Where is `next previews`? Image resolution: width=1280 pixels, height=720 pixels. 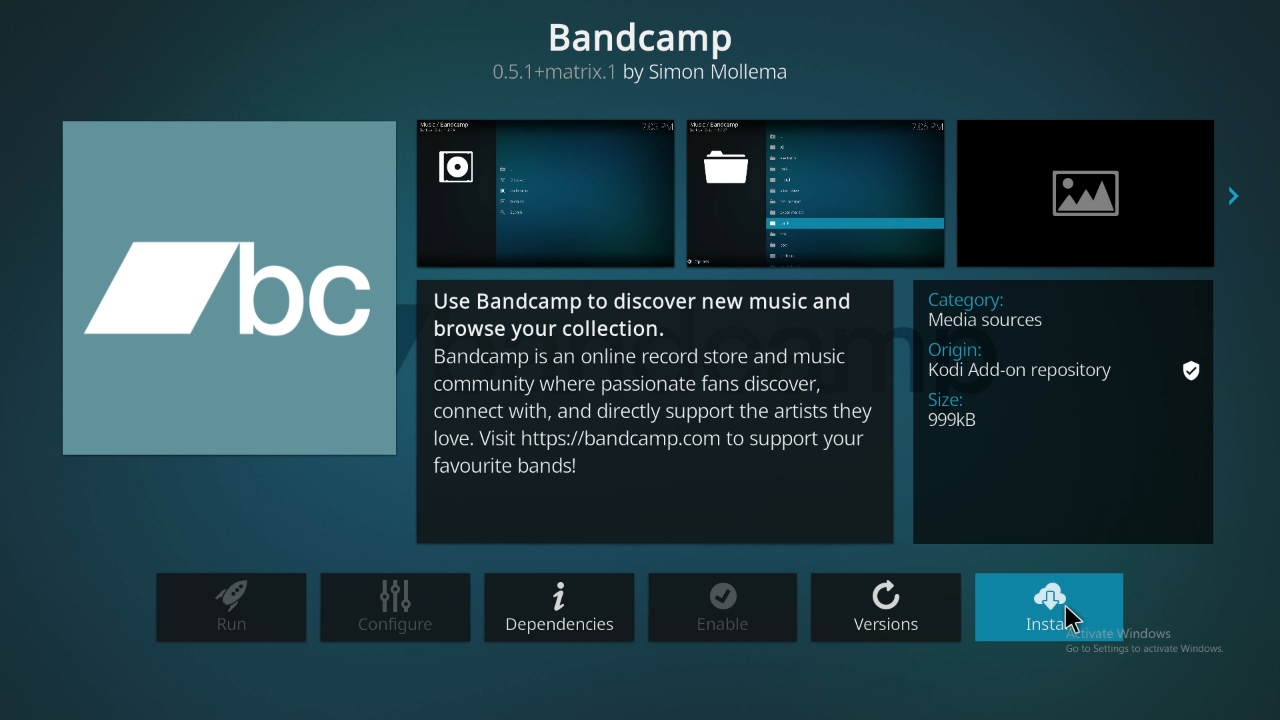
next previews is located at coordinates (1233, 198).